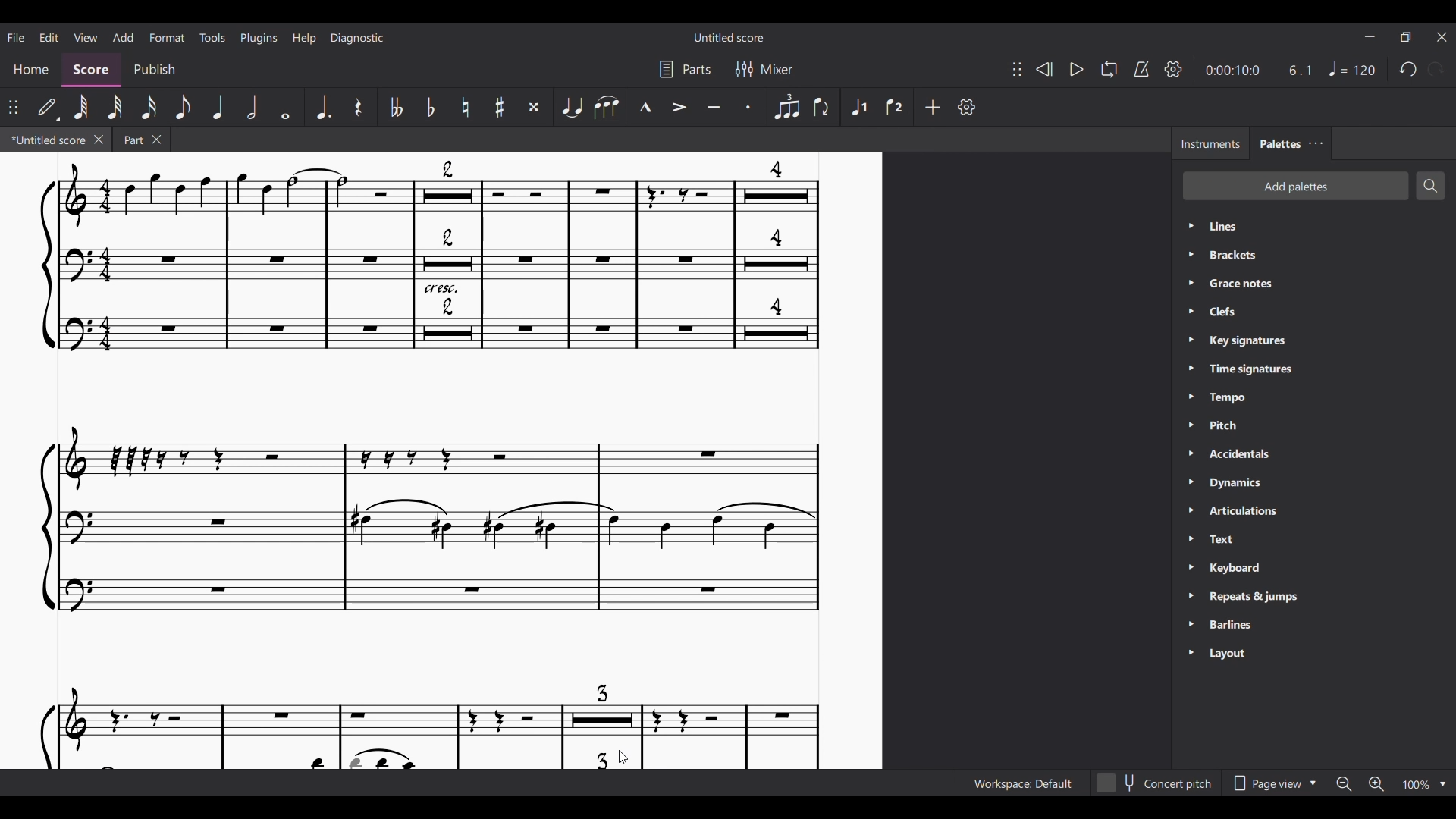 The image size is (1456, 819). Describe the element at coordinates (356, 37) in the screenshot. I see `Diagnostic menu` at that location.